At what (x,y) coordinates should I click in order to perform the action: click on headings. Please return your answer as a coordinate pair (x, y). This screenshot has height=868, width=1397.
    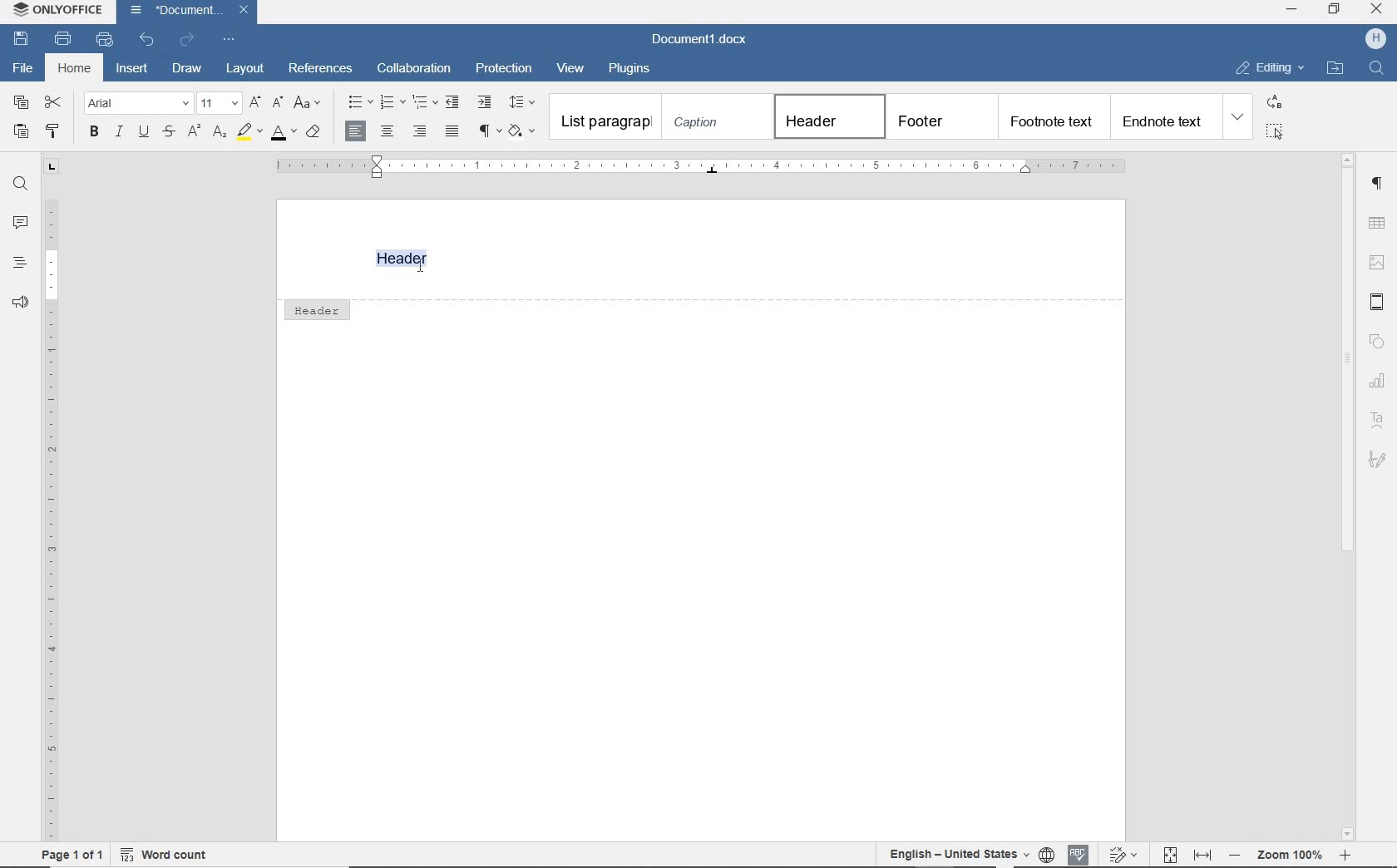
    Looking at the image, I should click on (17, 262).